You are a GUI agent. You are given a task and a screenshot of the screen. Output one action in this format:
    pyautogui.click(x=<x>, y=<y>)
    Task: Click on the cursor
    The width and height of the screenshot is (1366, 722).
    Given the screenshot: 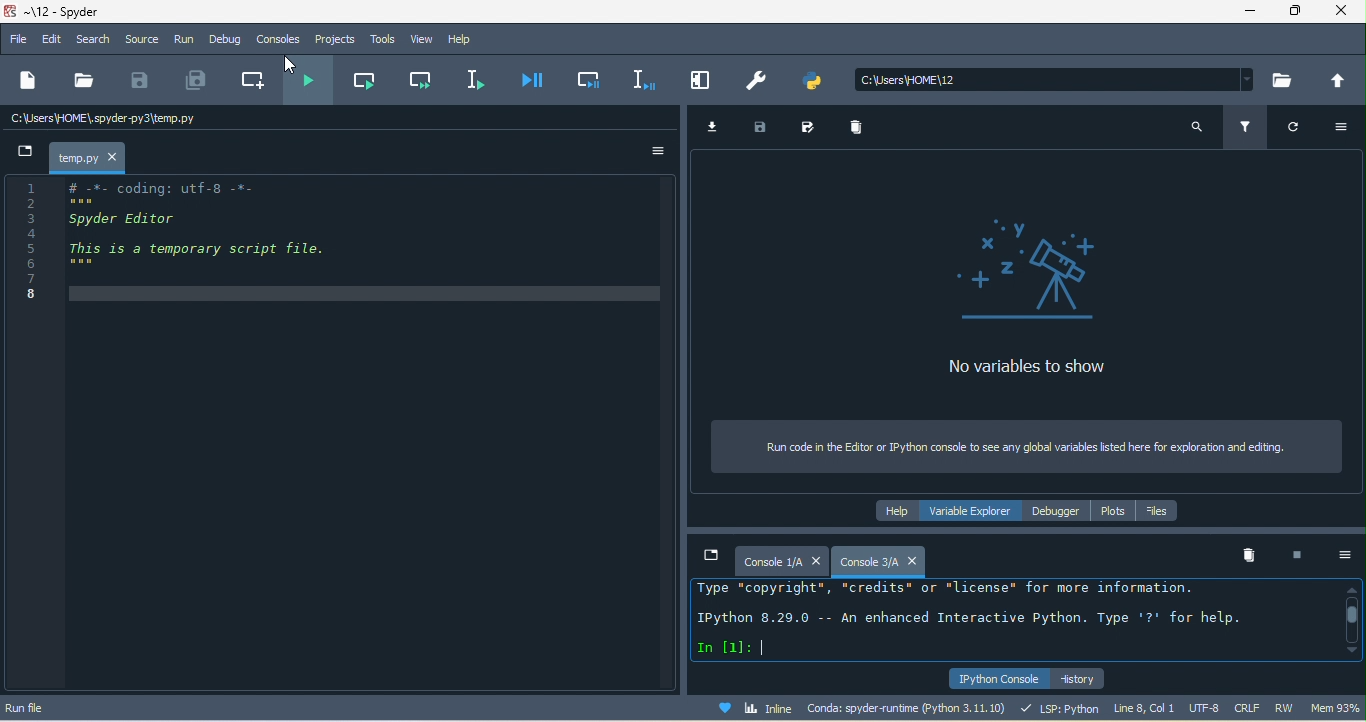 What is the action you would take?
    pyautogui.click(x=287, y=69)
    